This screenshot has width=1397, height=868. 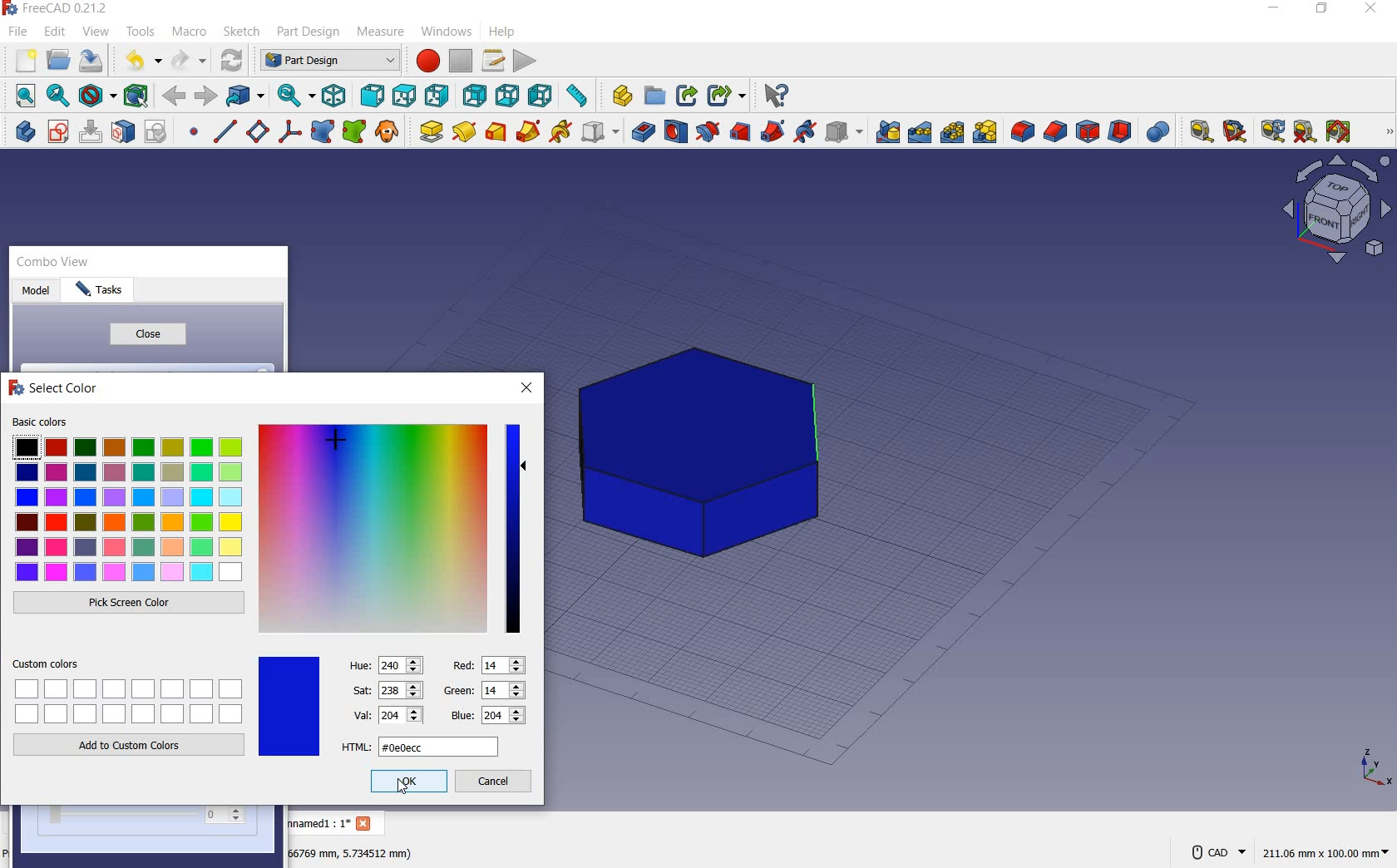 What do you see at coordinates (775, 96) in the screenshot?
I see `what's this?` at bounding box center [775, 96].